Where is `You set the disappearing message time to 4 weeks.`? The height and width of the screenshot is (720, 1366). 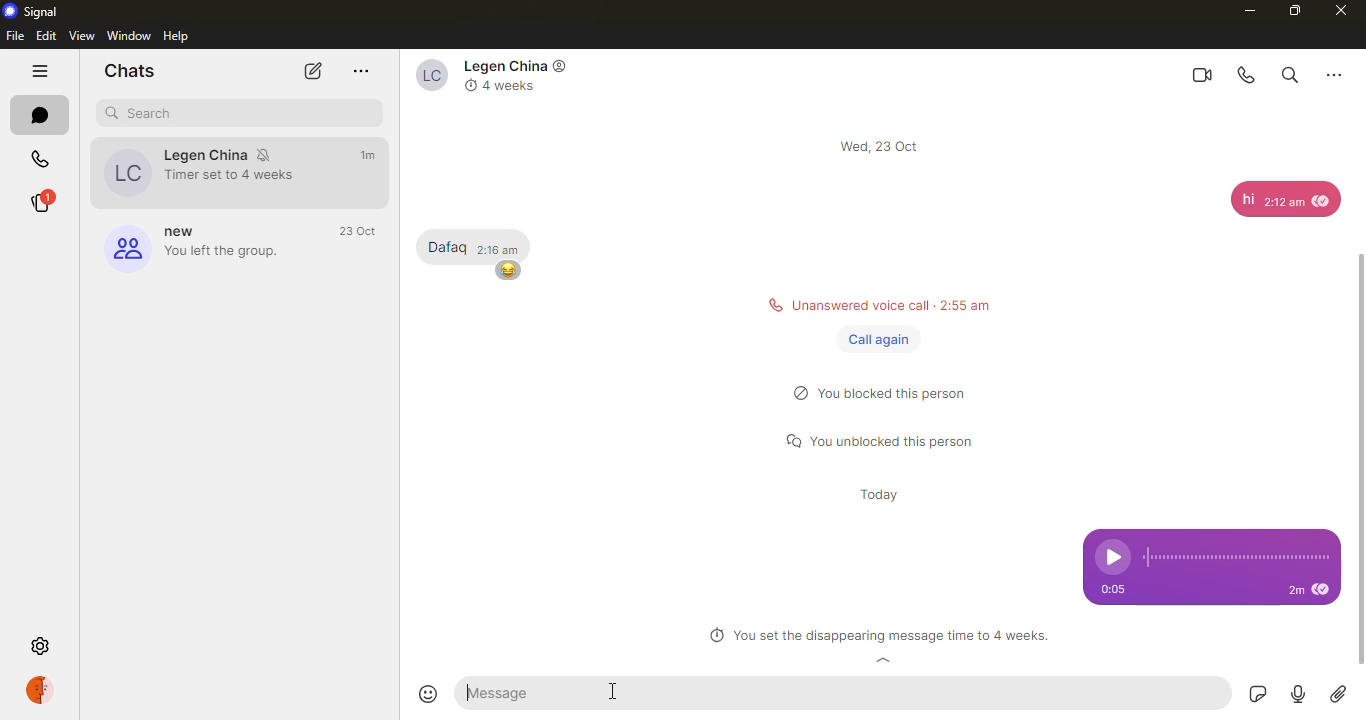
You set the disappearing message time to 4 weeks. is located at coordinates (878, 637).